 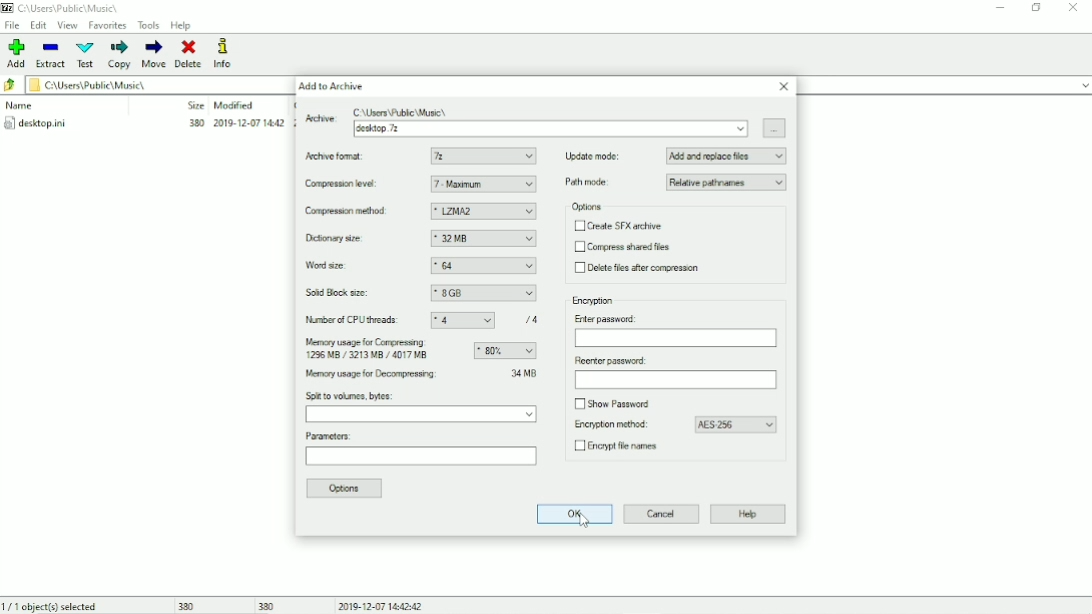 What do you see at coordinates (70, 8) in the screenshot?
I see `File location` at bounding box center [70, 8].